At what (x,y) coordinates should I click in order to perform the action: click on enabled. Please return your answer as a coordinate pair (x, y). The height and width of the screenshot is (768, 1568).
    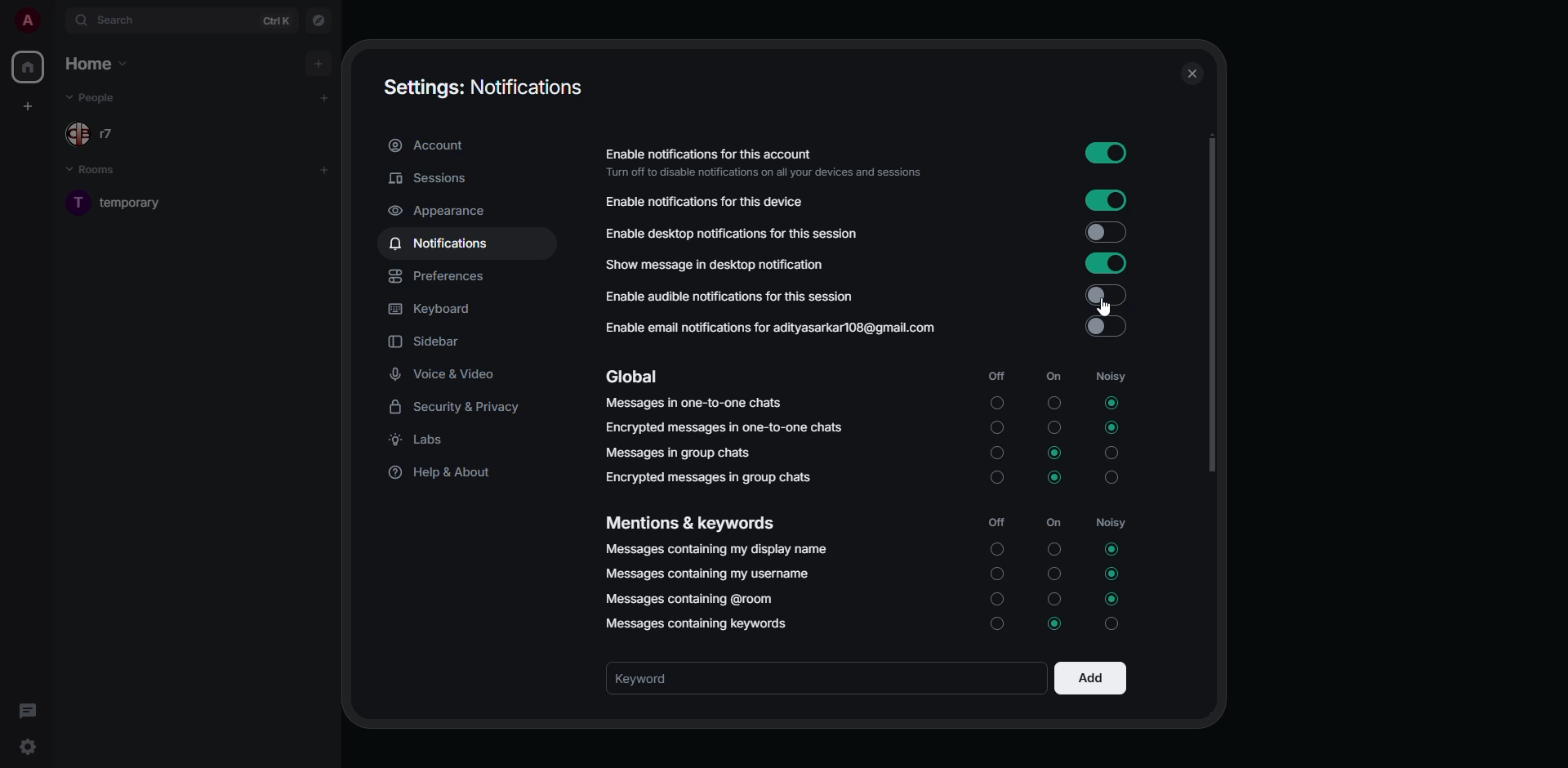
    Looking at the image, I should click on (1103, 294).